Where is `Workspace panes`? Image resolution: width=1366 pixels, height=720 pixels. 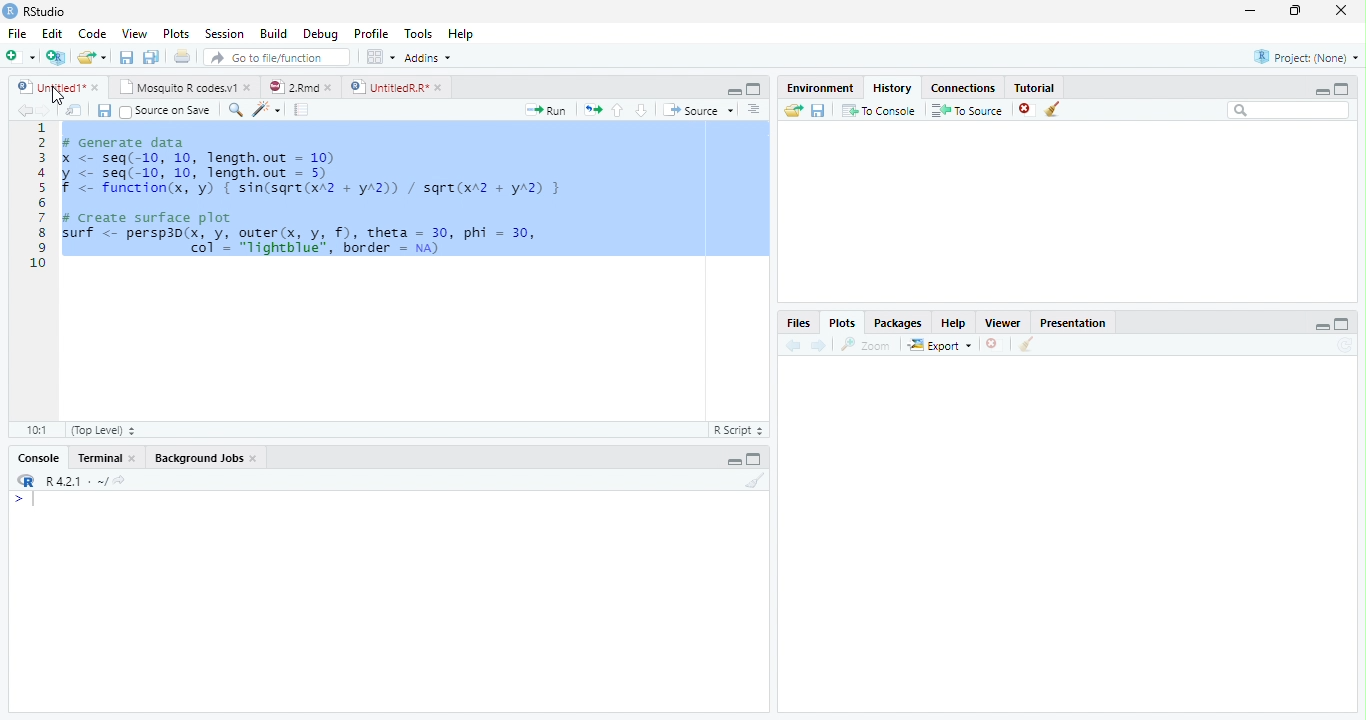
Workspace panes is located at coordinates (379, 56).